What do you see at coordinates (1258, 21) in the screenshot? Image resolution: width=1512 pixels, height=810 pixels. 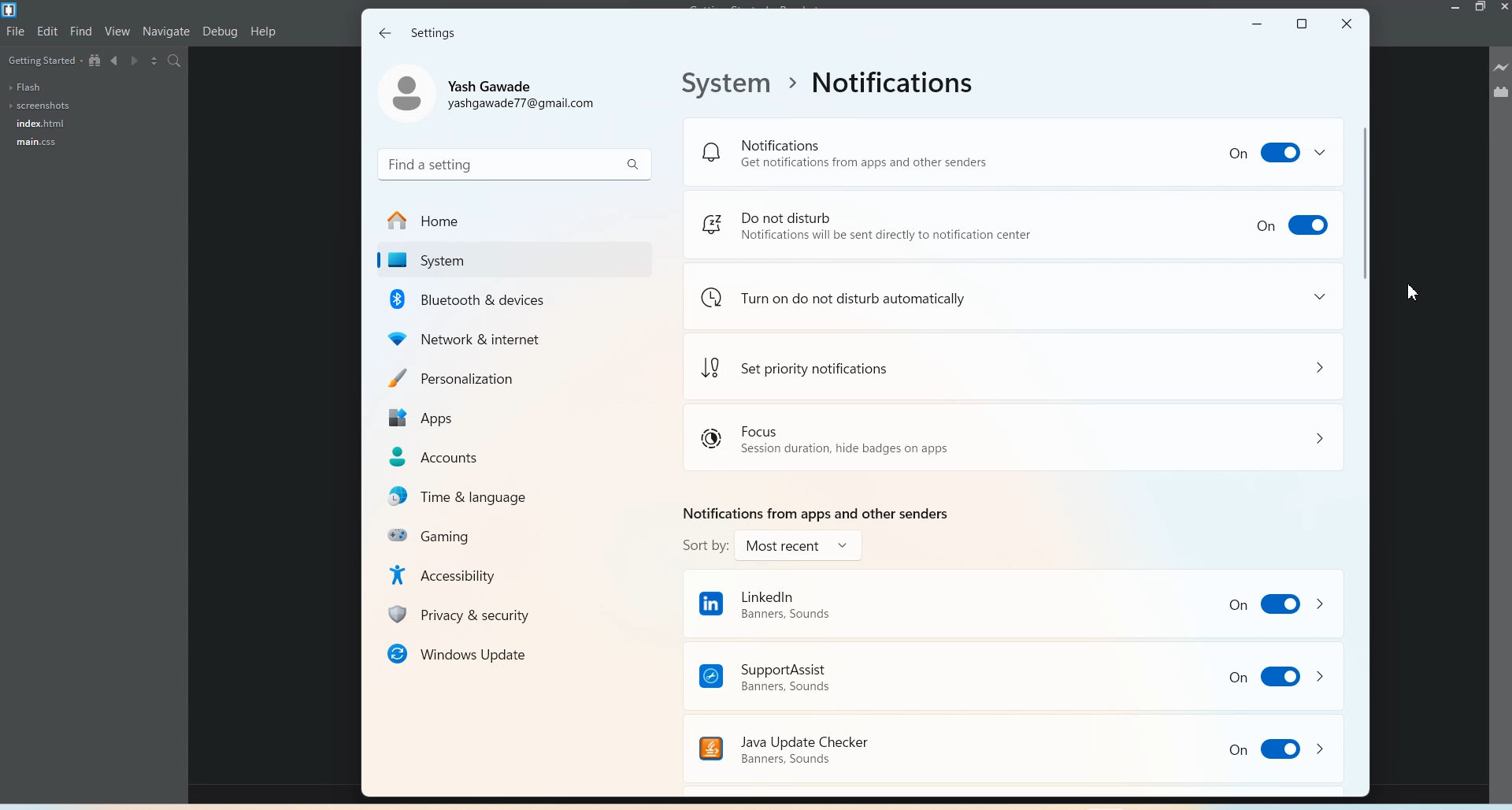 I see `Minimize` at bounding box center [1258, 21].